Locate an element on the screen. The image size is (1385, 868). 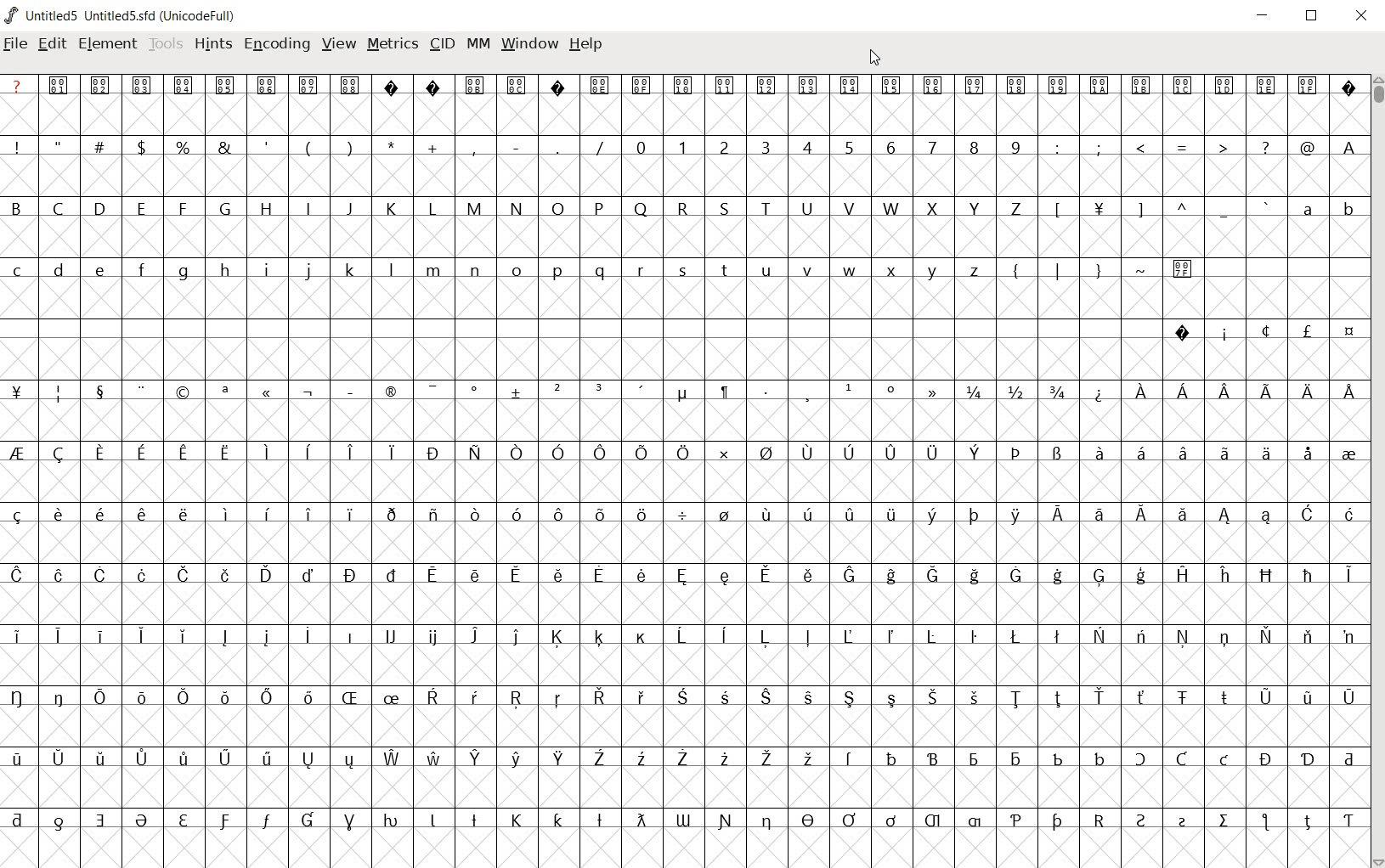
Symbol is located at coordinates (102, 86).